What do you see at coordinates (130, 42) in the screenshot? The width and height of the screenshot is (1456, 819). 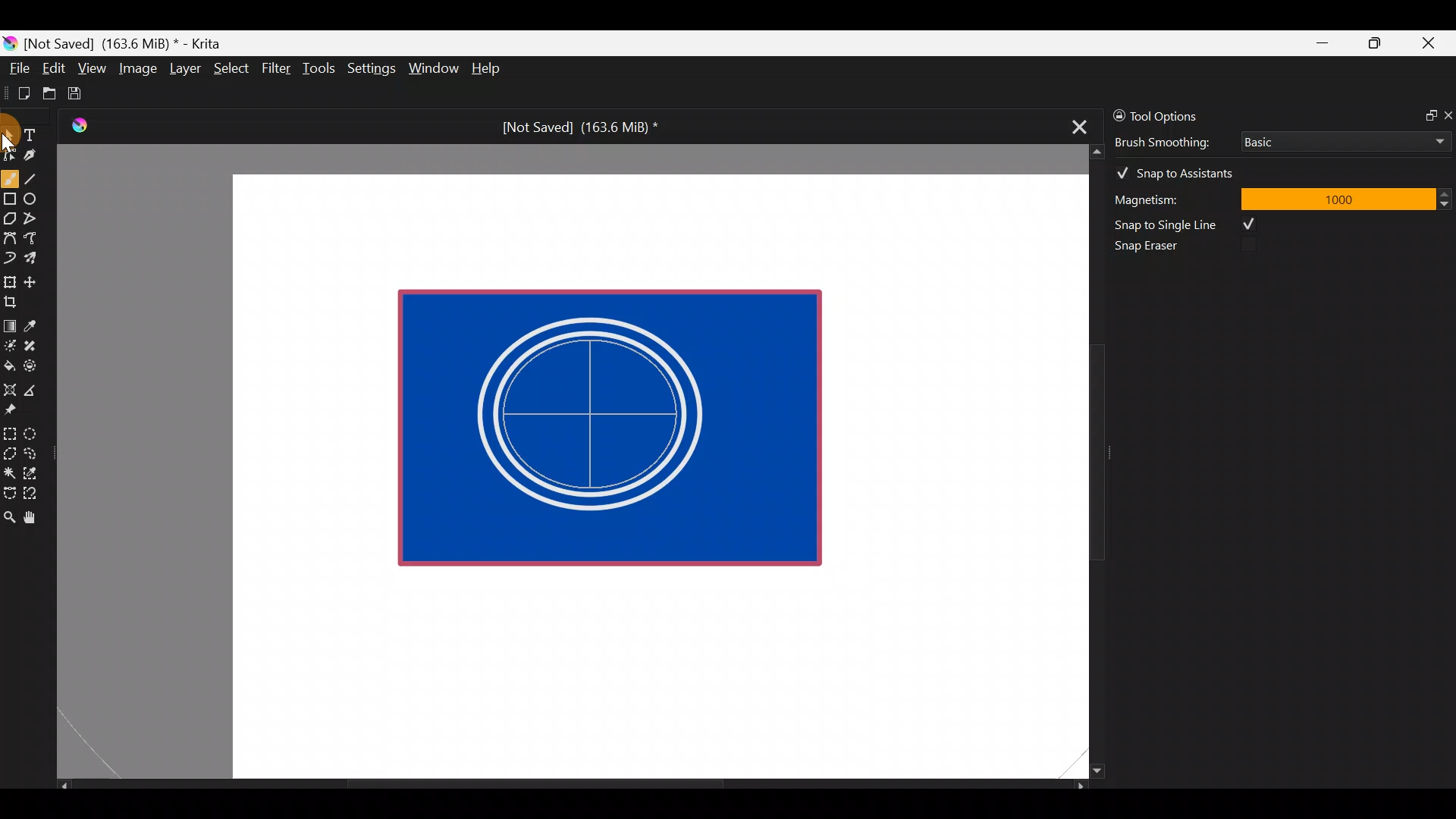 I see `[Not Saved] (163.6 MiB) * - Krita` at bounding box center [130, 42].